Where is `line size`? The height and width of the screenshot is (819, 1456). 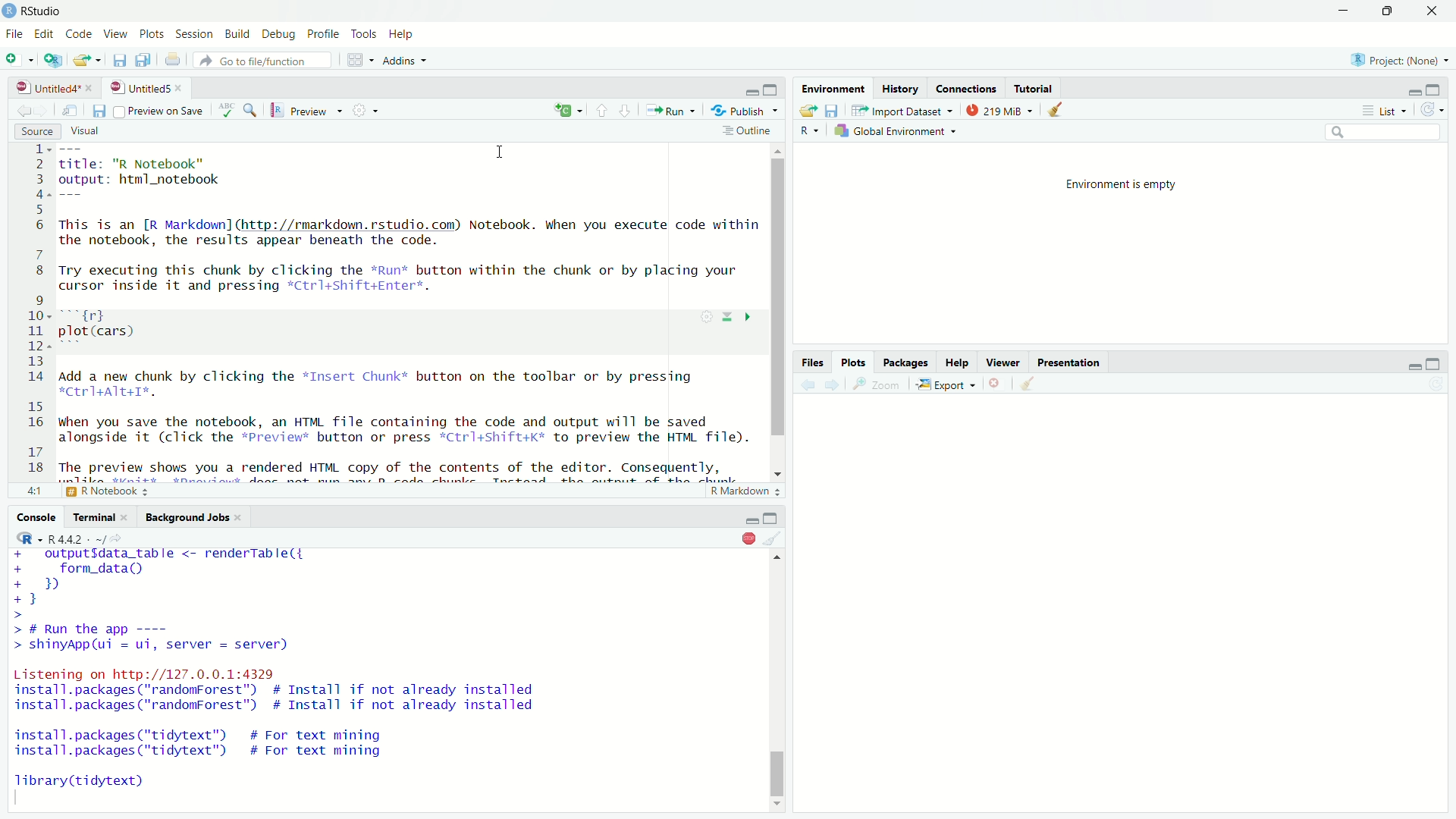 line size is located at coordinates (32, 491).